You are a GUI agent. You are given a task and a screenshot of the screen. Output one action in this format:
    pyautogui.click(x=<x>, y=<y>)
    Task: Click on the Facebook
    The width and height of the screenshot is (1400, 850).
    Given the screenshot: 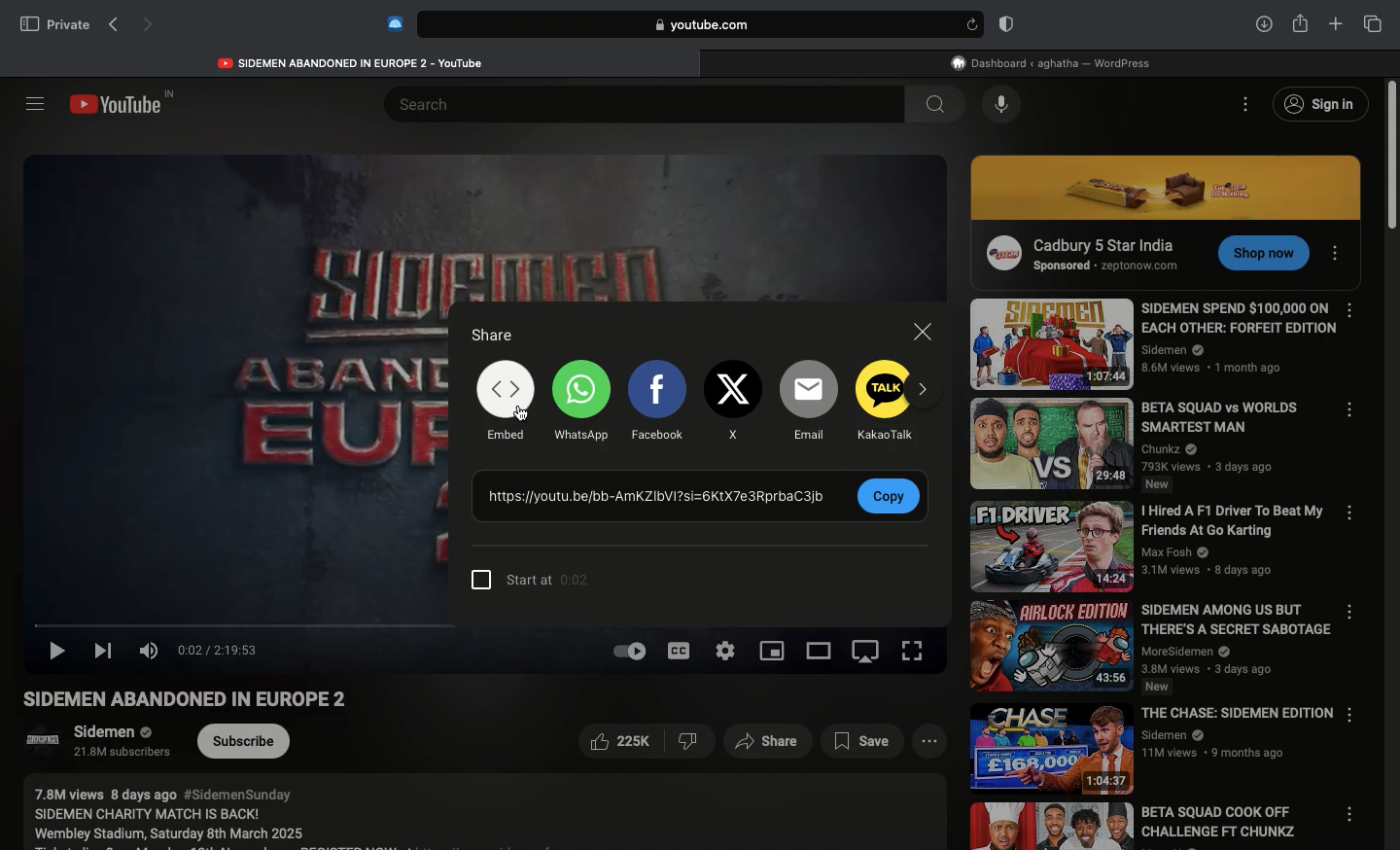 What is the action you would take?
    pyautogui.click(x=656, y=400)
    